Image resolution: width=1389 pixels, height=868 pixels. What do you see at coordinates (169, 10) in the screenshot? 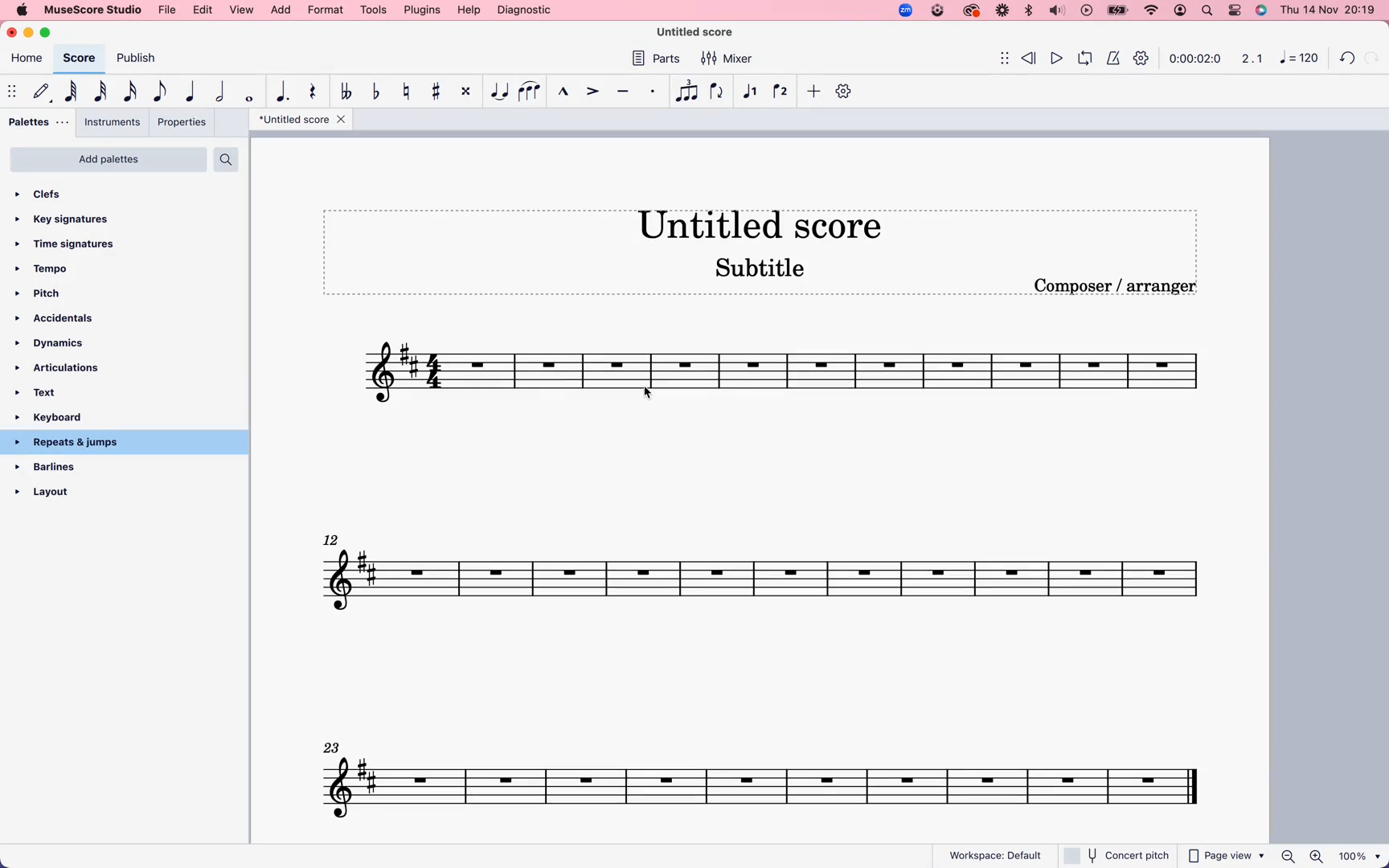
I see `file` at bounding box center [169, 10].